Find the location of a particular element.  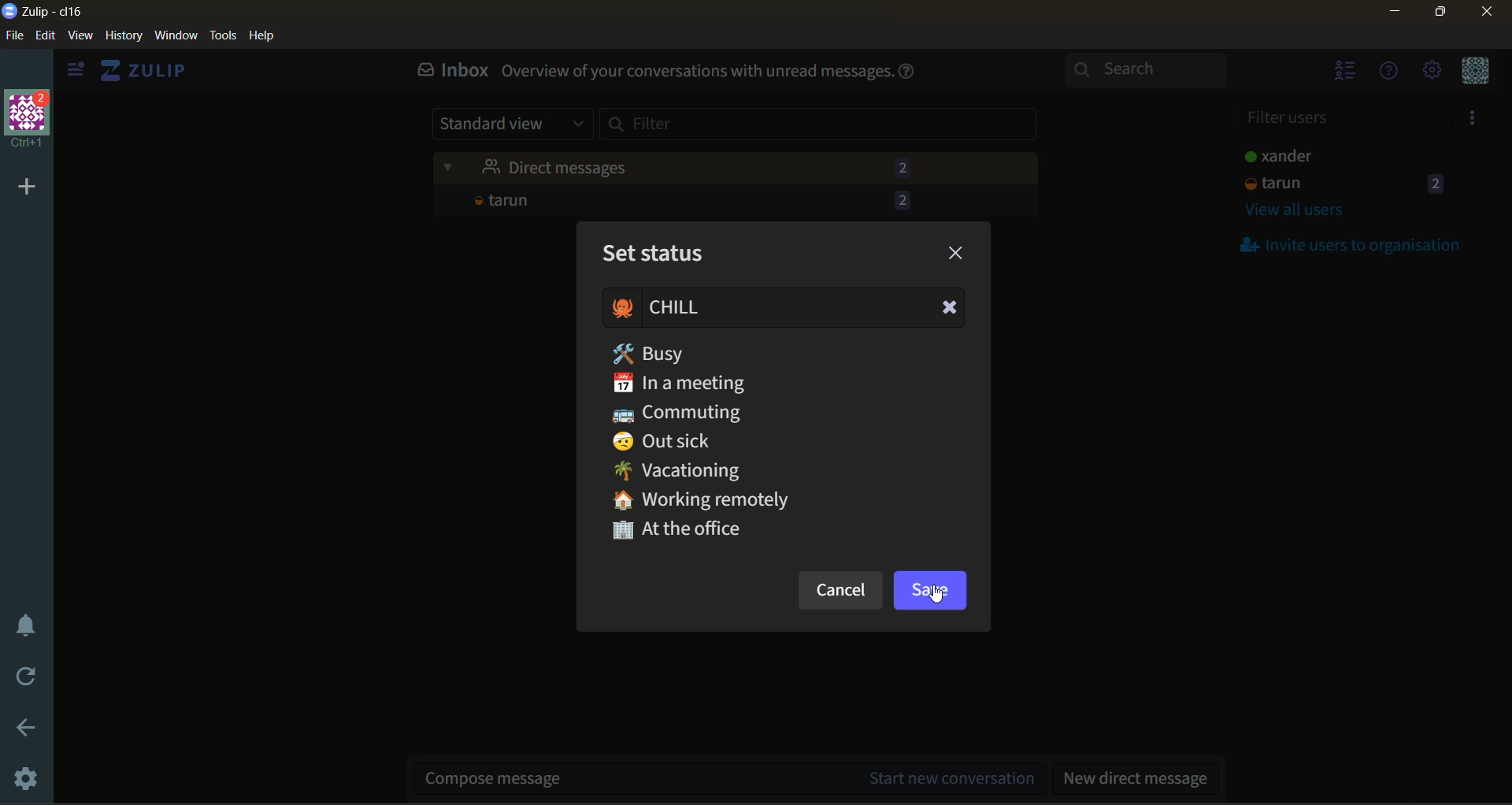

history is located at coordinates (123, 36).